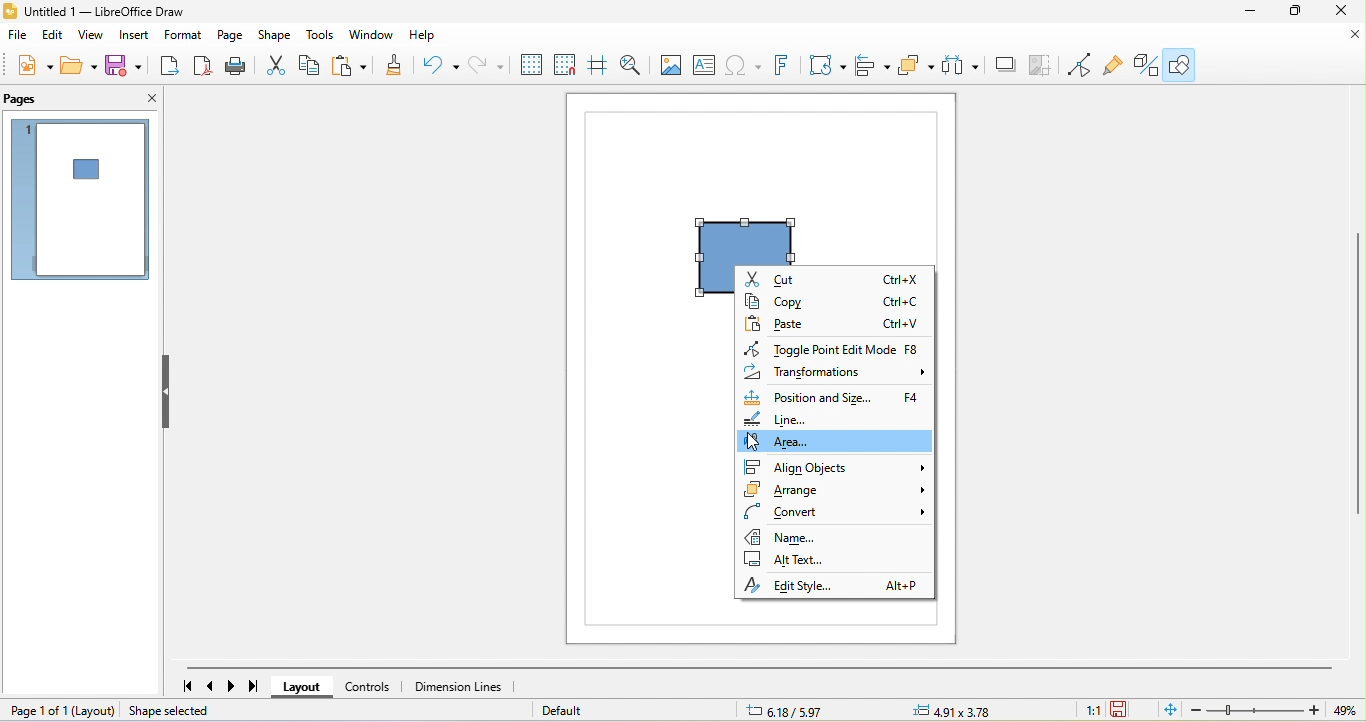  What do you see at coordinates (836, 349) in the screenshot?
I see `toggle point edit mode` at bounding box center [836, 349].